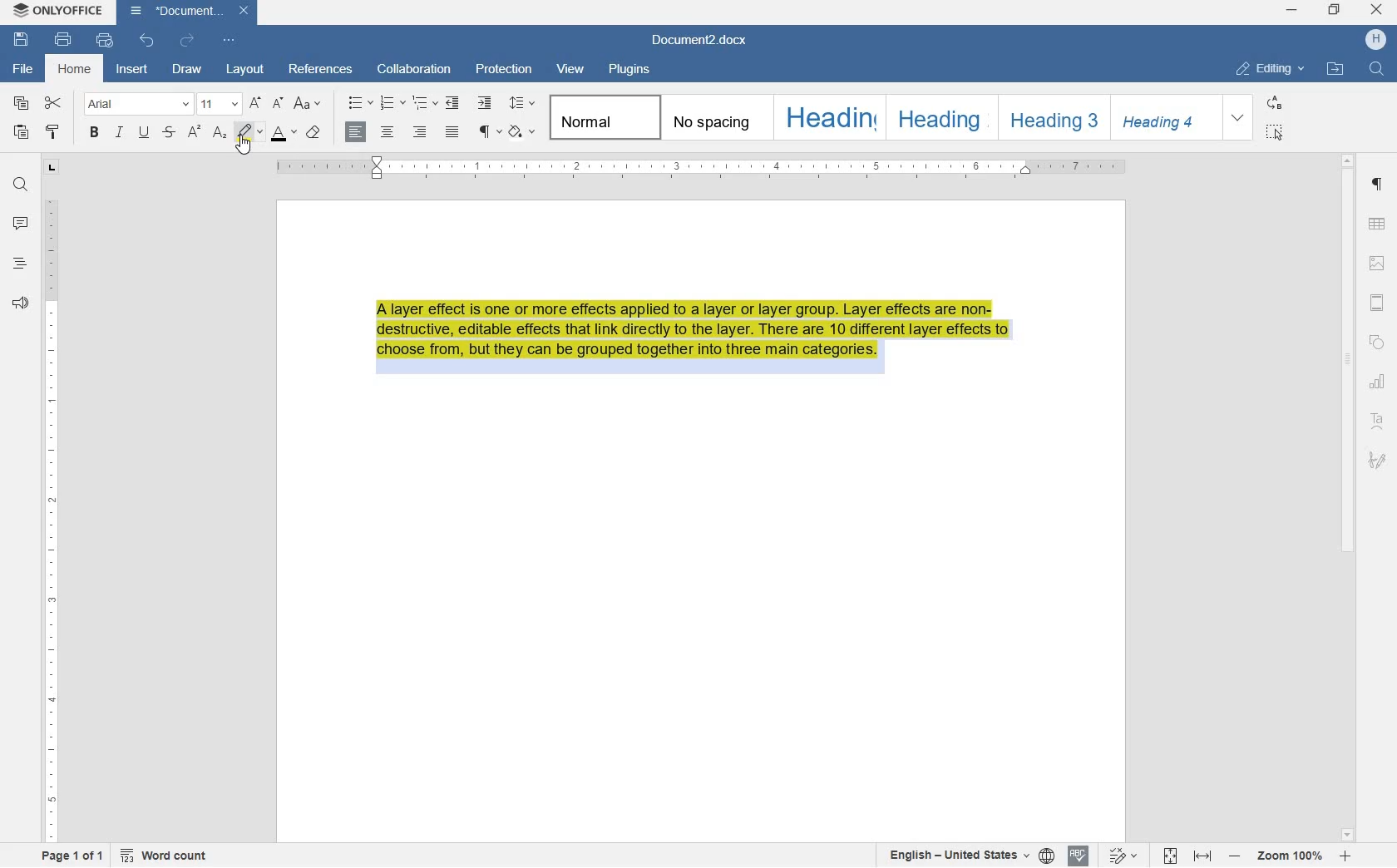 Image resolution: width=1397 pixels, height=868 pixels. What do you see at coordinates (243, 145) in the screenshot?
I see `CURSOR` at bounding box center [243, 145].